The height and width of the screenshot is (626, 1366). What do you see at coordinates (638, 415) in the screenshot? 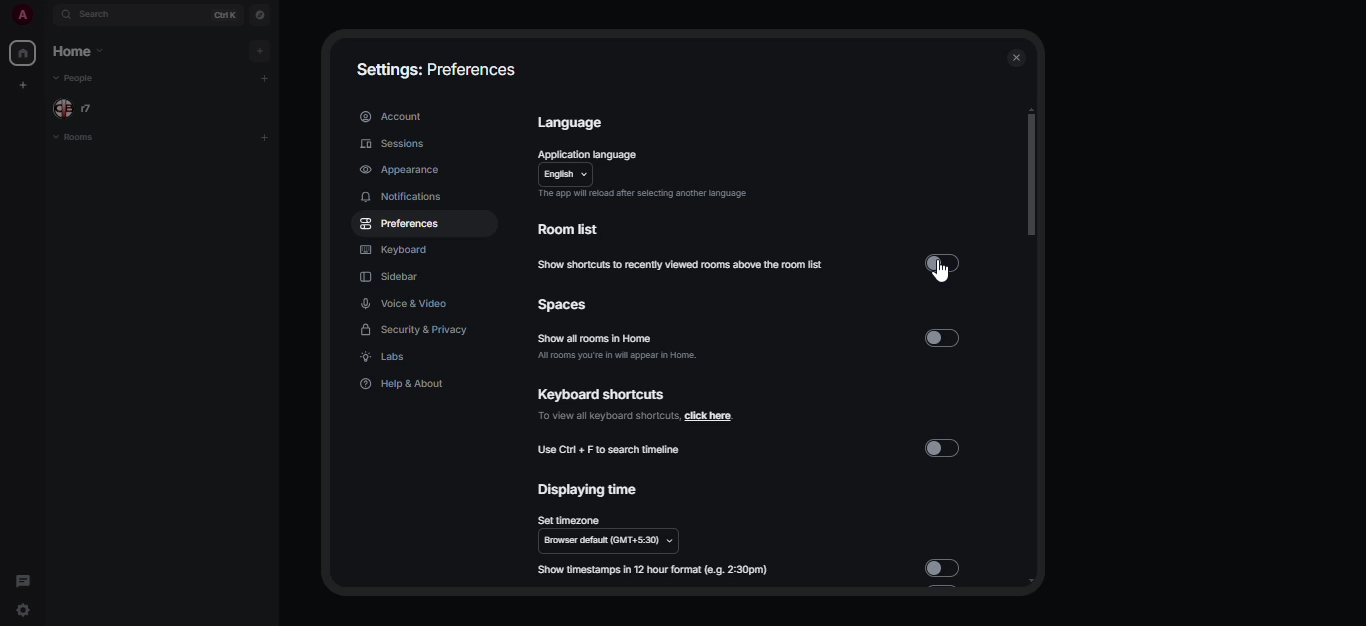
I see `to view all keyboard shortcuts, click here` at bounding box center [638, 415].